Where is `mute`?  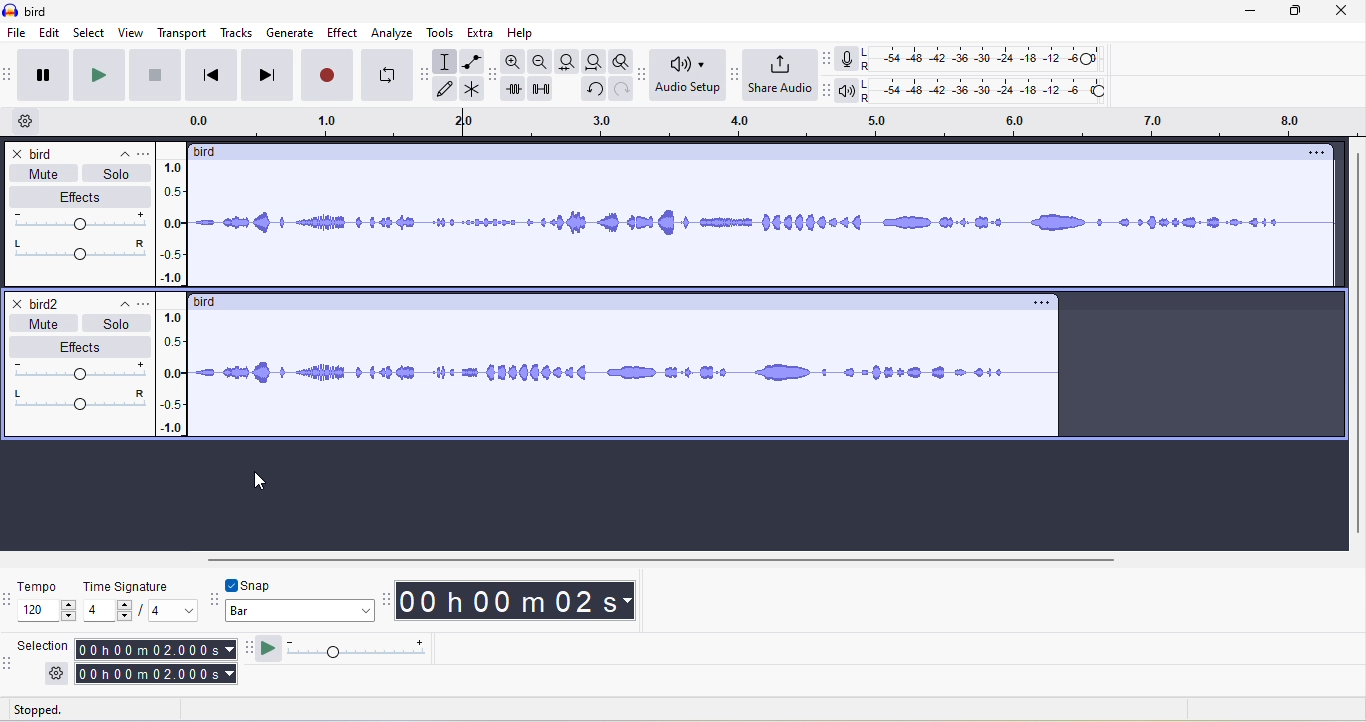
mute is located at coordinates (45, 175).